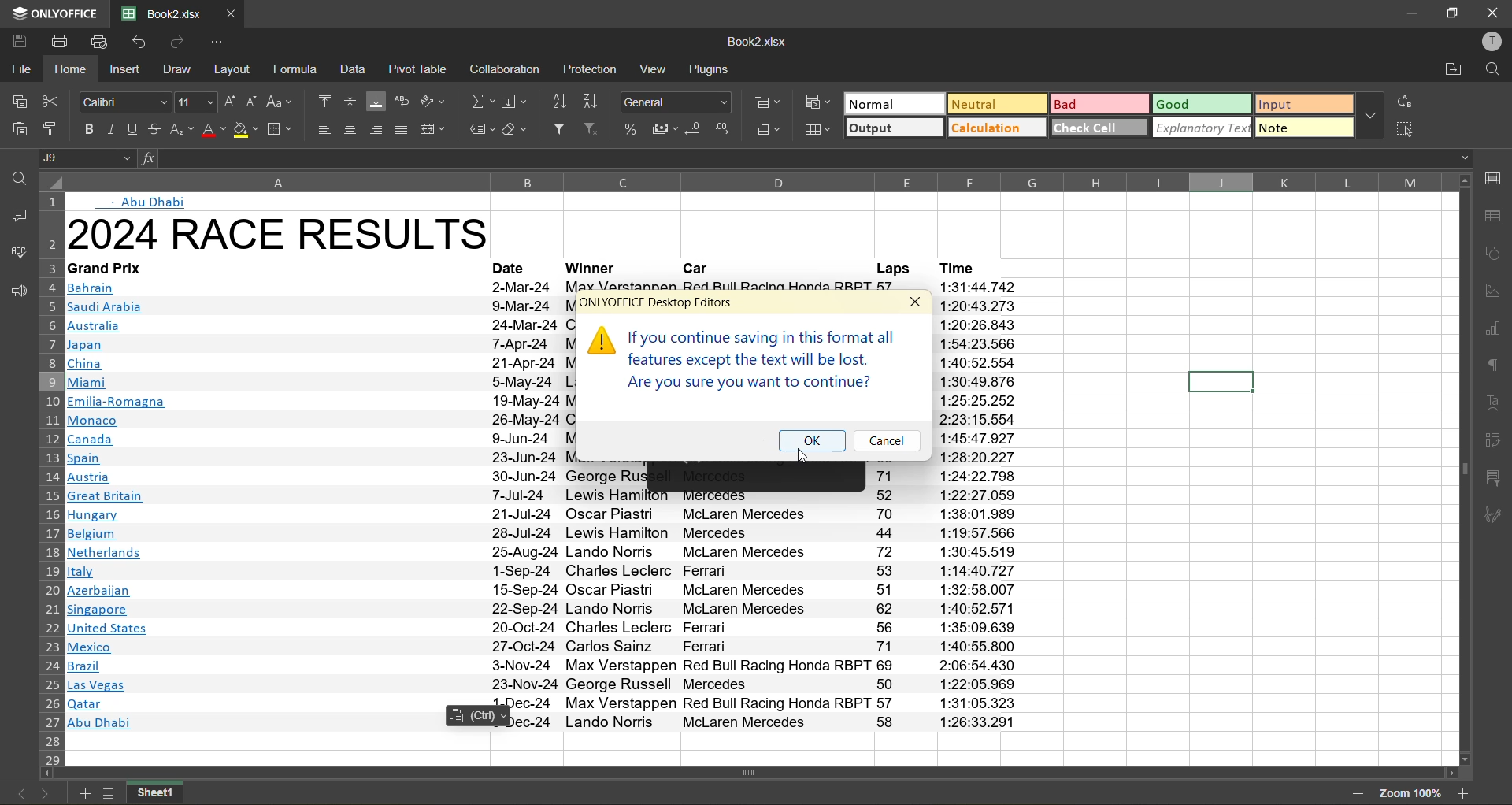  I want to click on select all, so click(1410, 131).